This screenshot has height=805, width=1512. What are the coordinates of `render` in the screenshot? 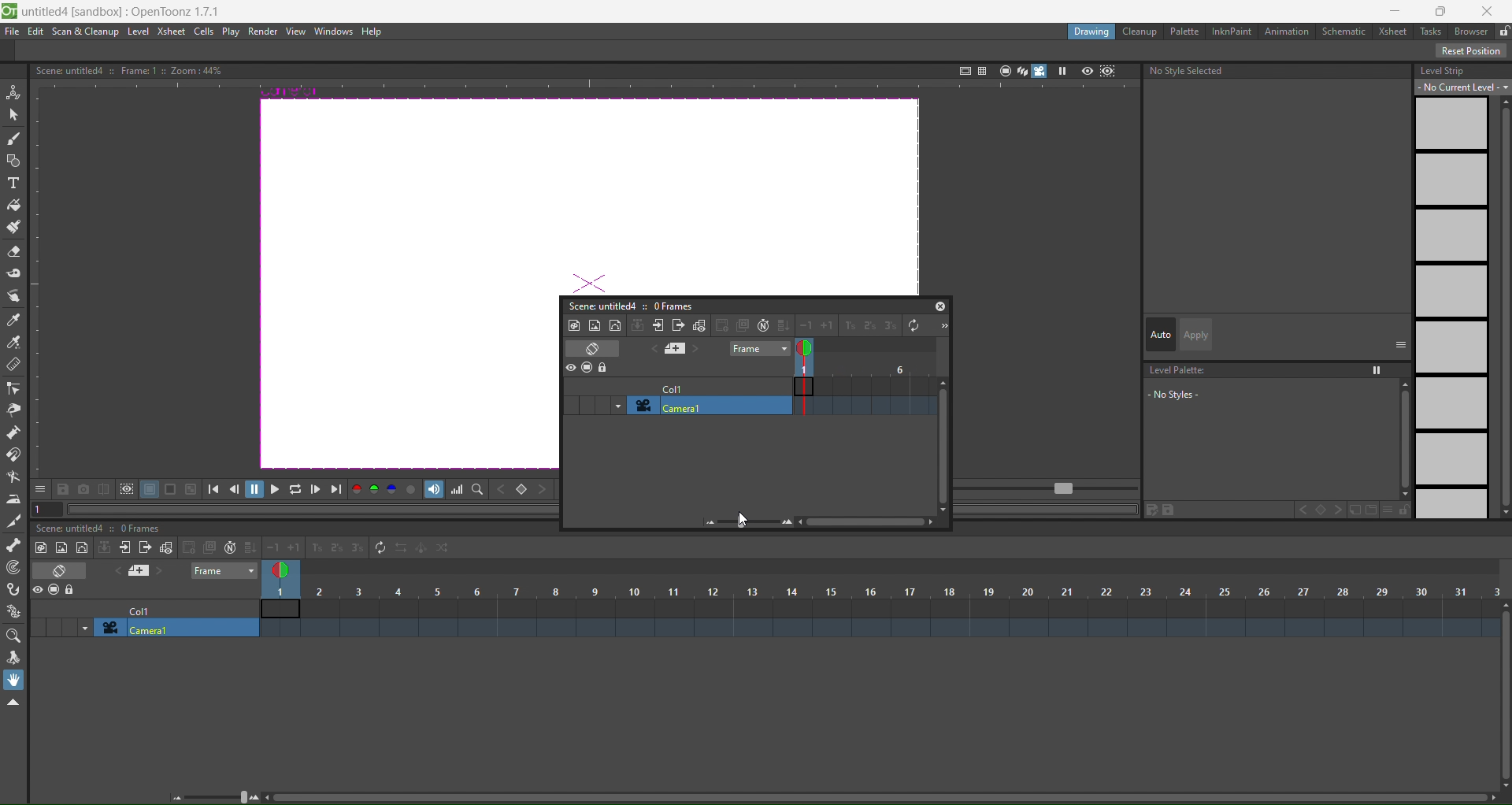 It's located at (264, 32).